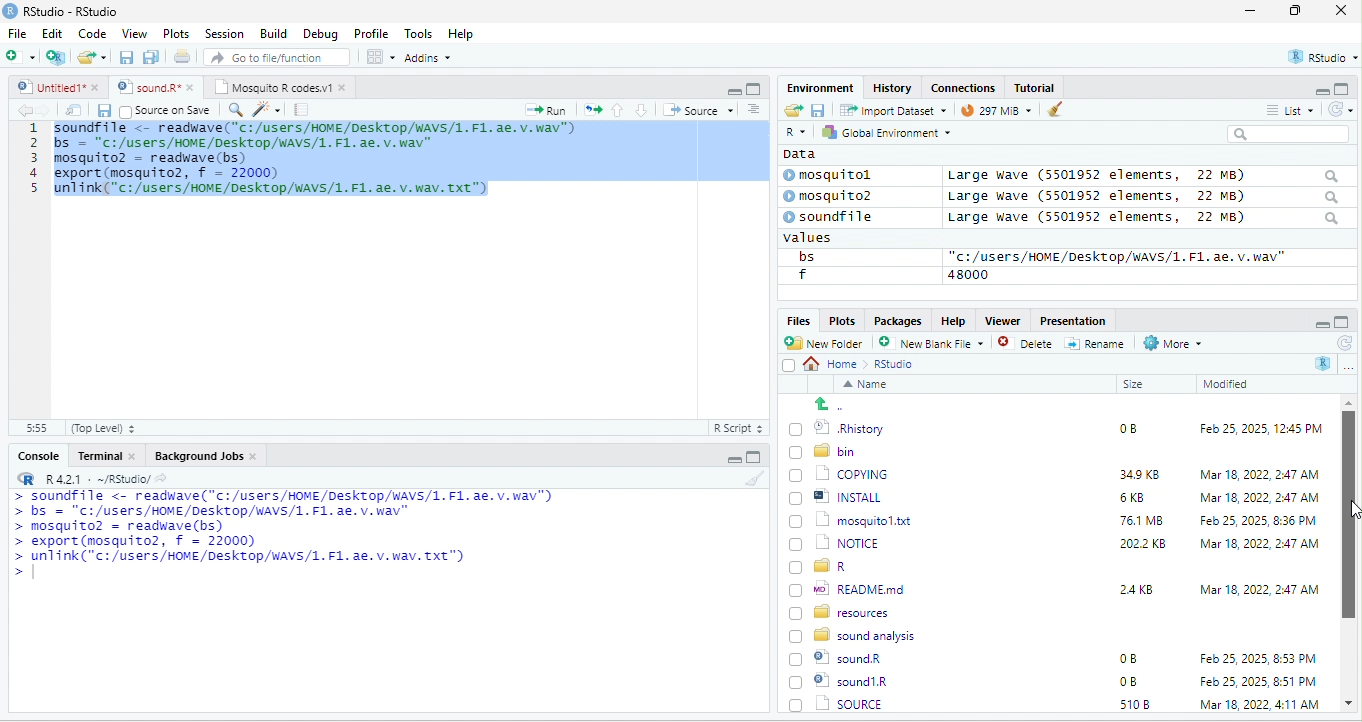 This screenshot has height=722, width=1362. Describe the element at coordinates (1286, 110) in the screenshot. I see `= List ~` at that location.